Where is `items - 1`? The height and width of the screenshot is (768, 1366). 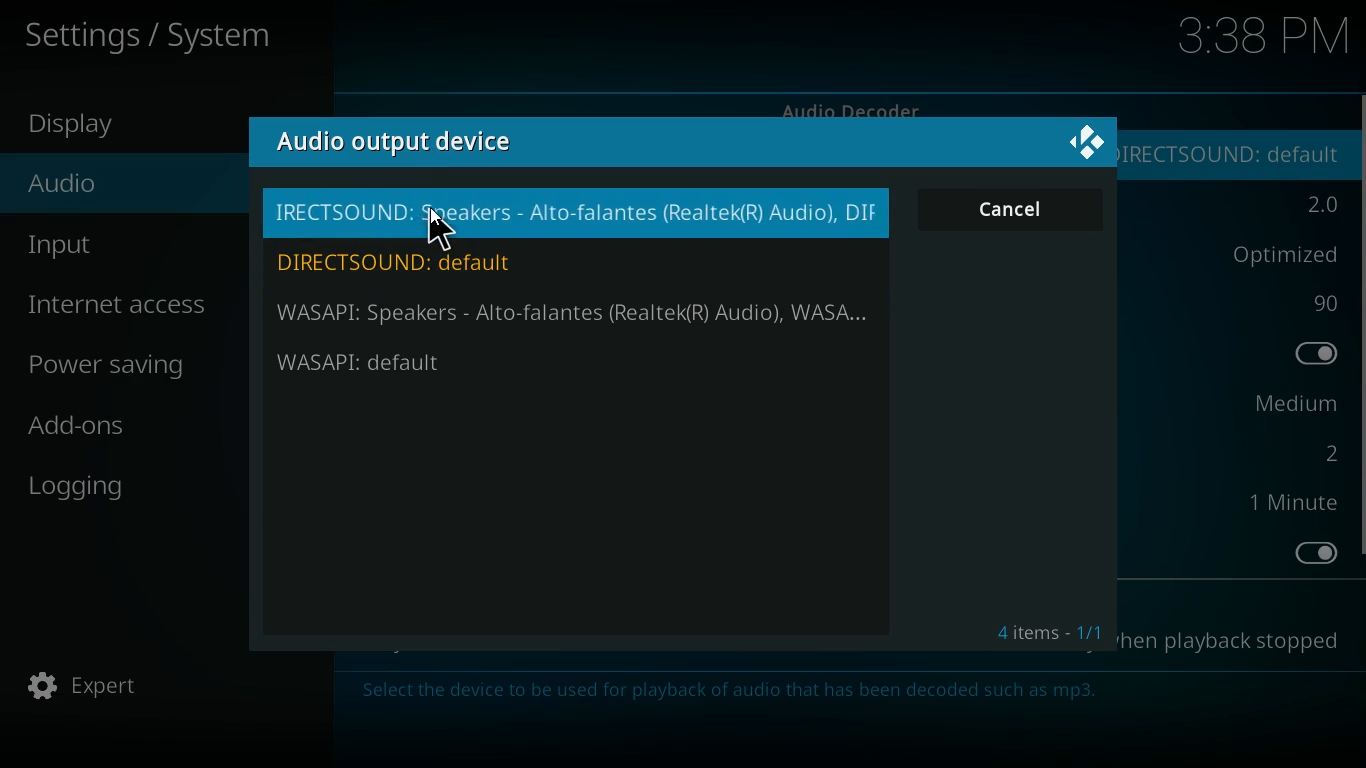
items - 1 is located at coordinates (1046, 630).